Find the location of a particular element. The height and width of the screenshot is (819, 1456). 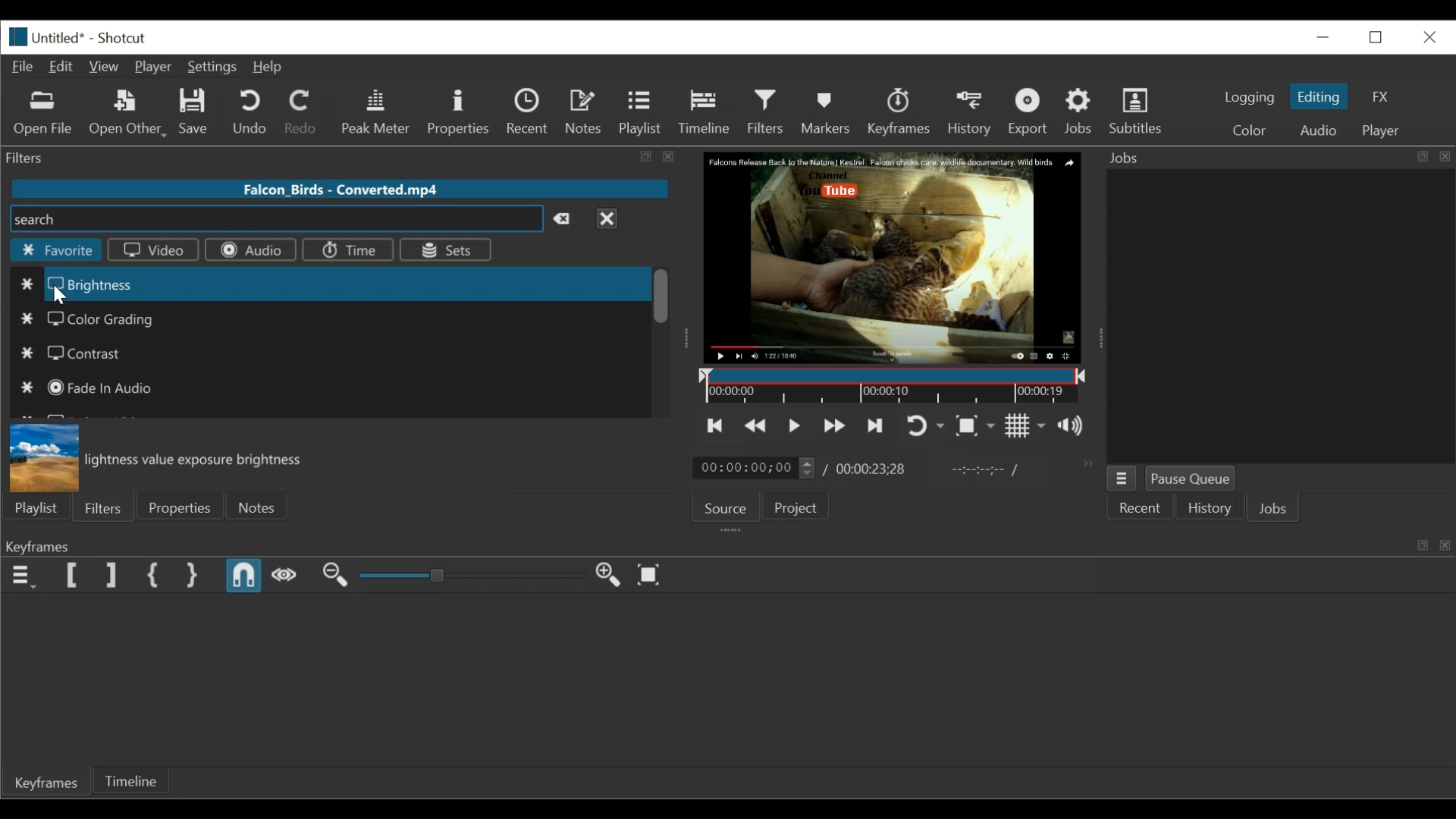

Timeline is located at coordinates (706, 114).